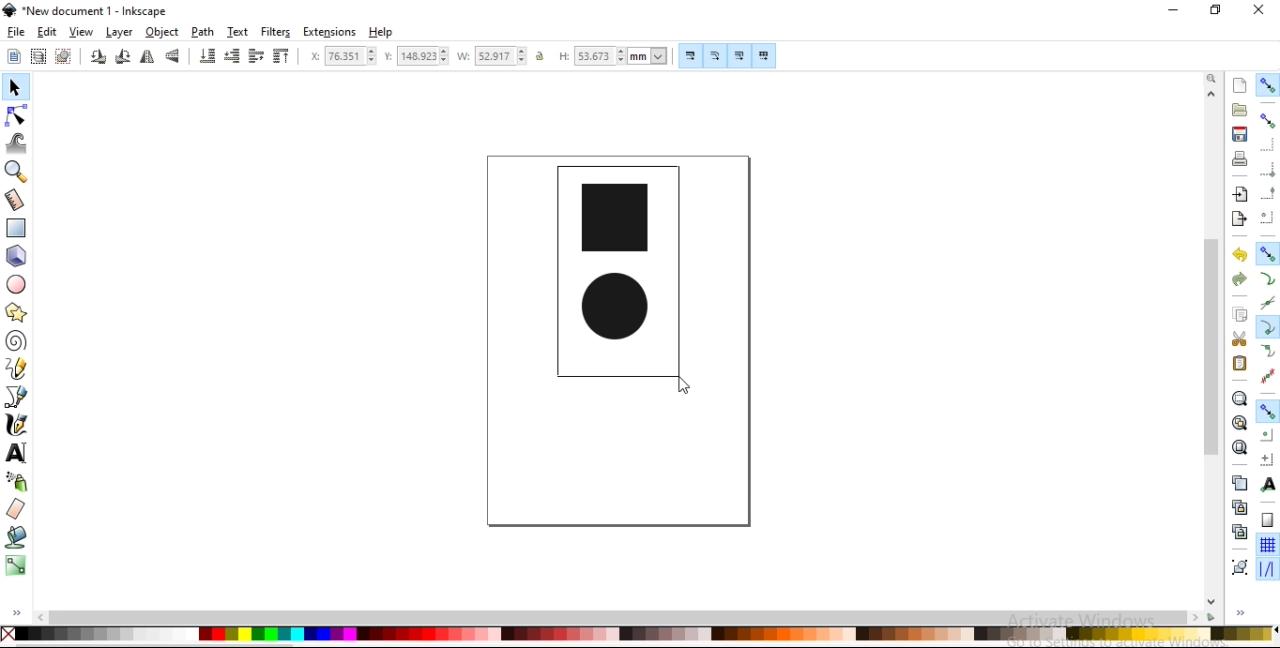  I want to click on snap midpoints of line segments, so click(1267, 375).